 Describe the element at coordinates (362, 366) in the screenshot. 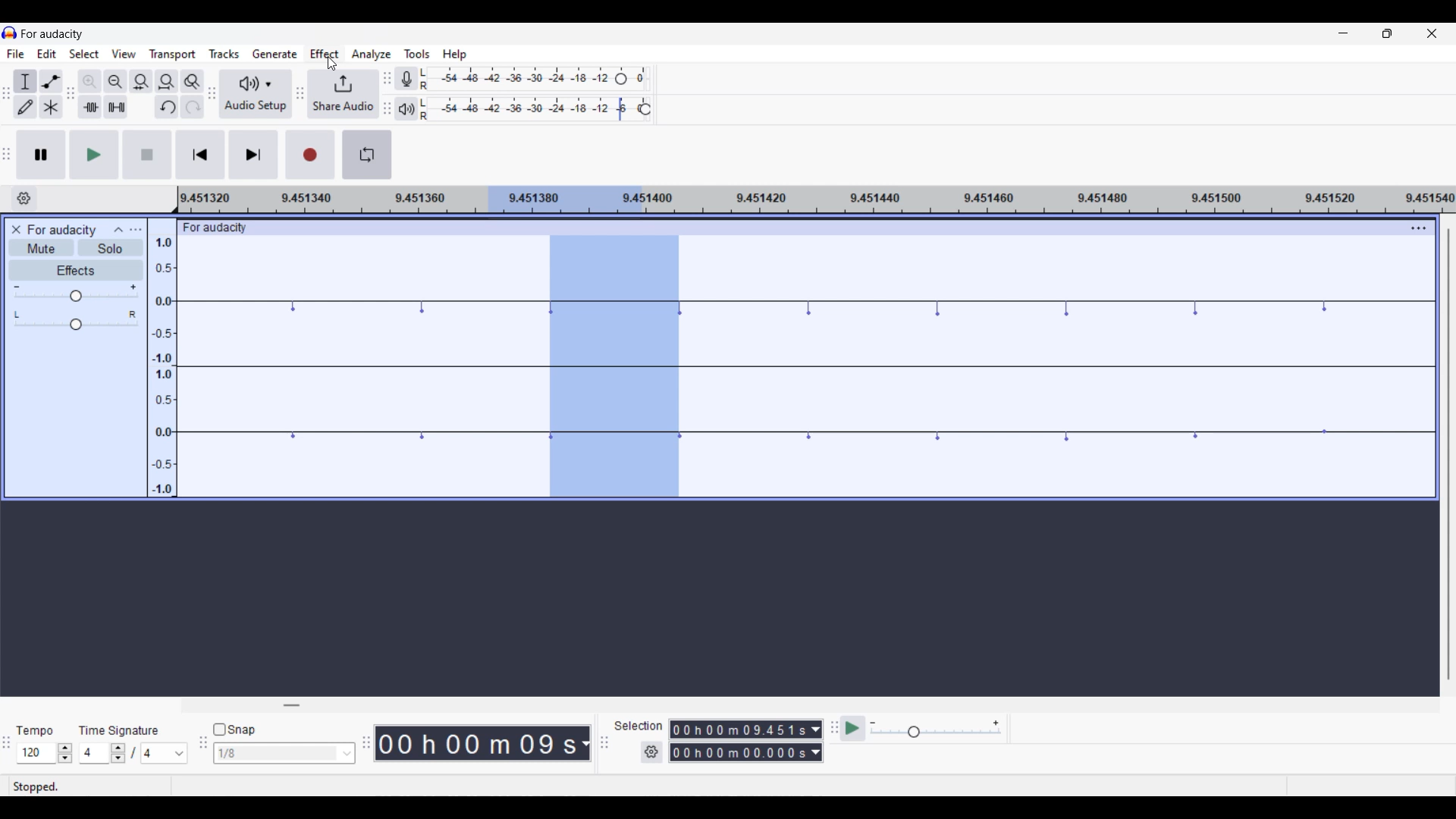

I see `Current track` at that location.